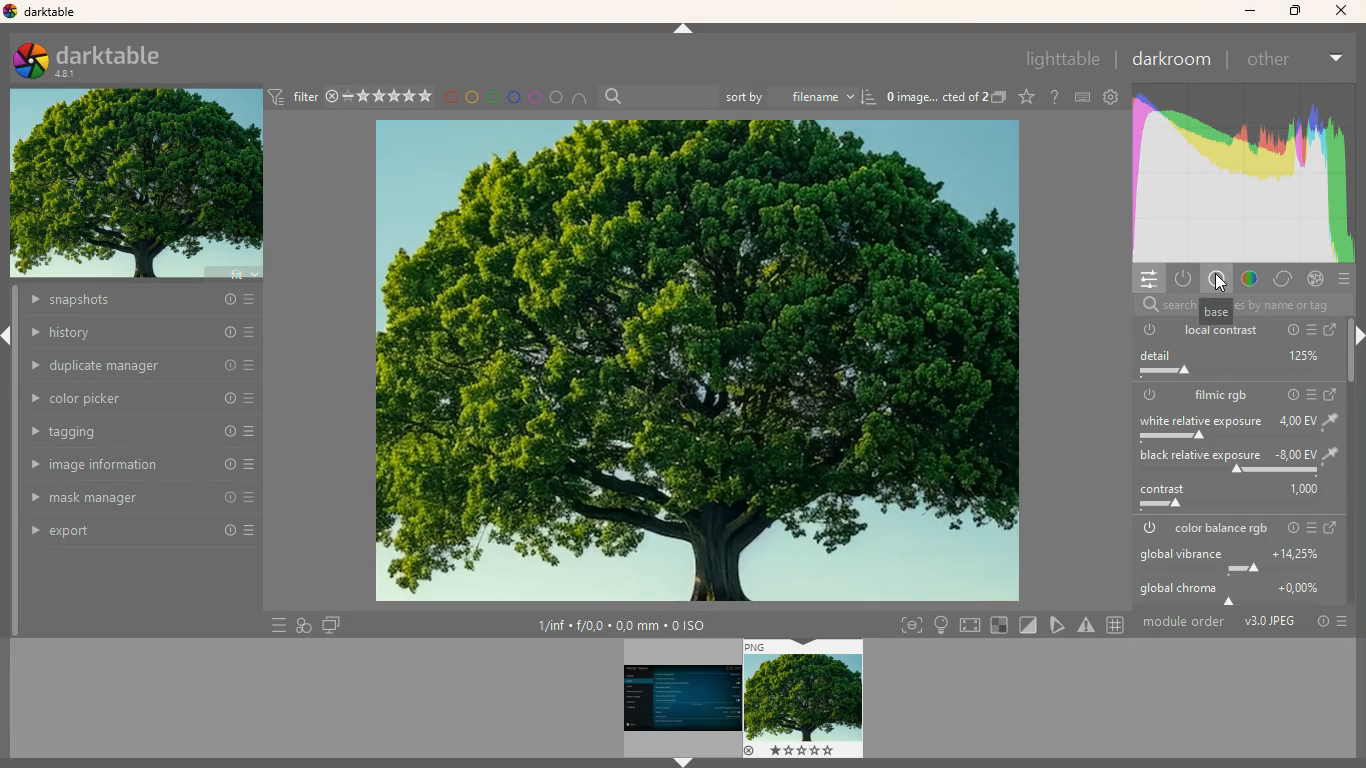 The height and width of the screenshot is (768, 1366). What do you see at coordinates (1315, 527) in the screenshot?
I see `more` at bounding box center [1315, 527].